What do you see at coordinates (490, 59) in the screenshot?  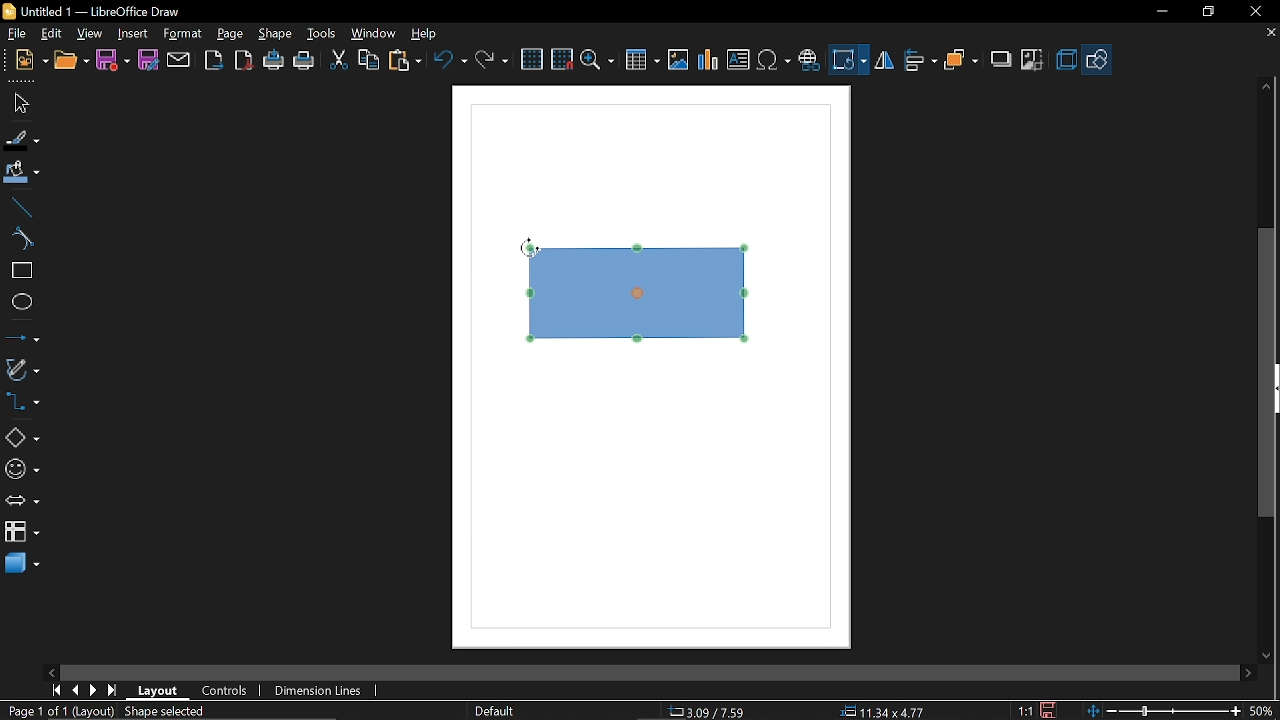 I see `Redo` at bounding box center [490, 59].